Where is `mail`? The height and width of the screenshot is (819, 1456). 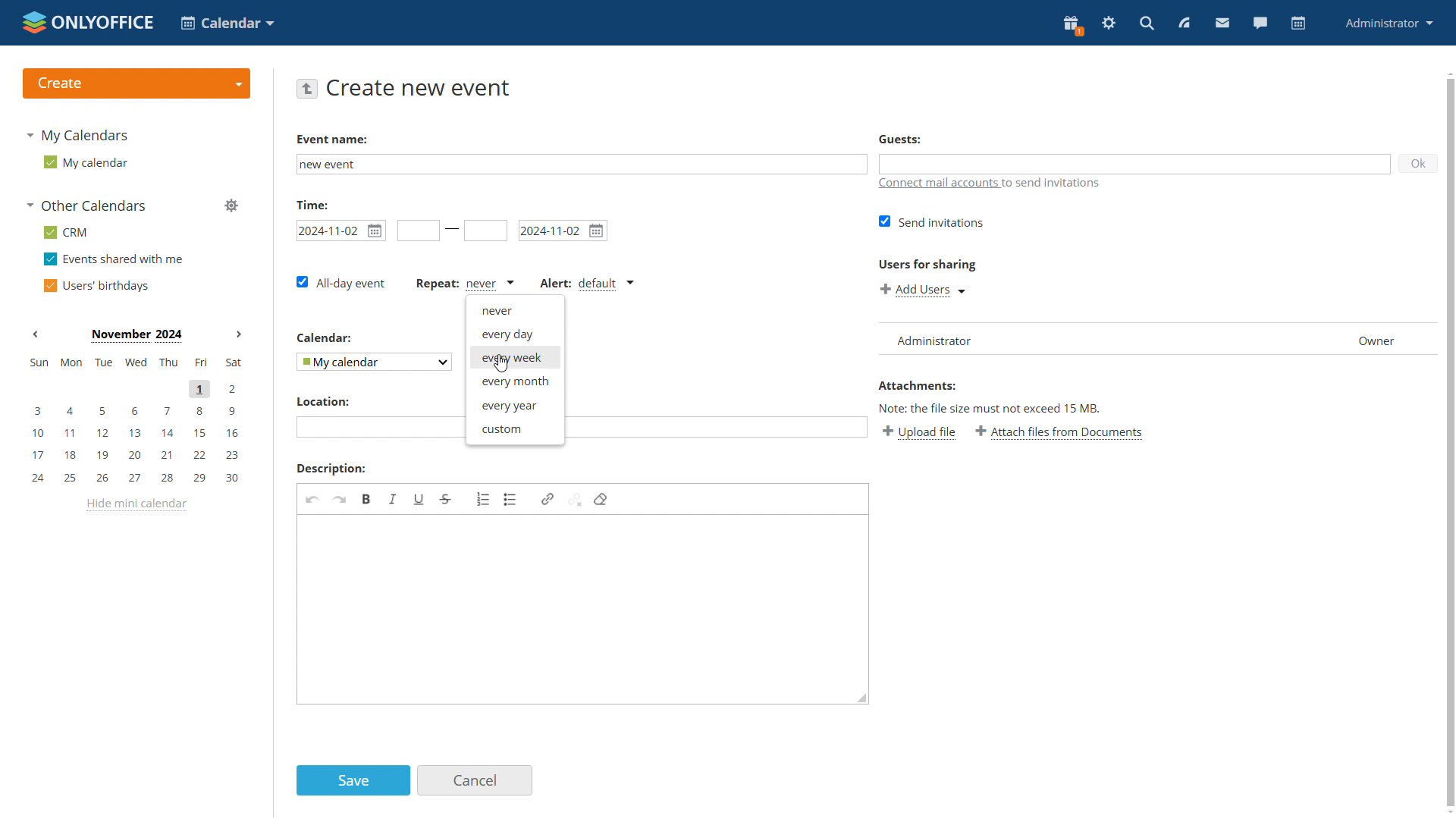
mail is located at coordinates (1223, 24).